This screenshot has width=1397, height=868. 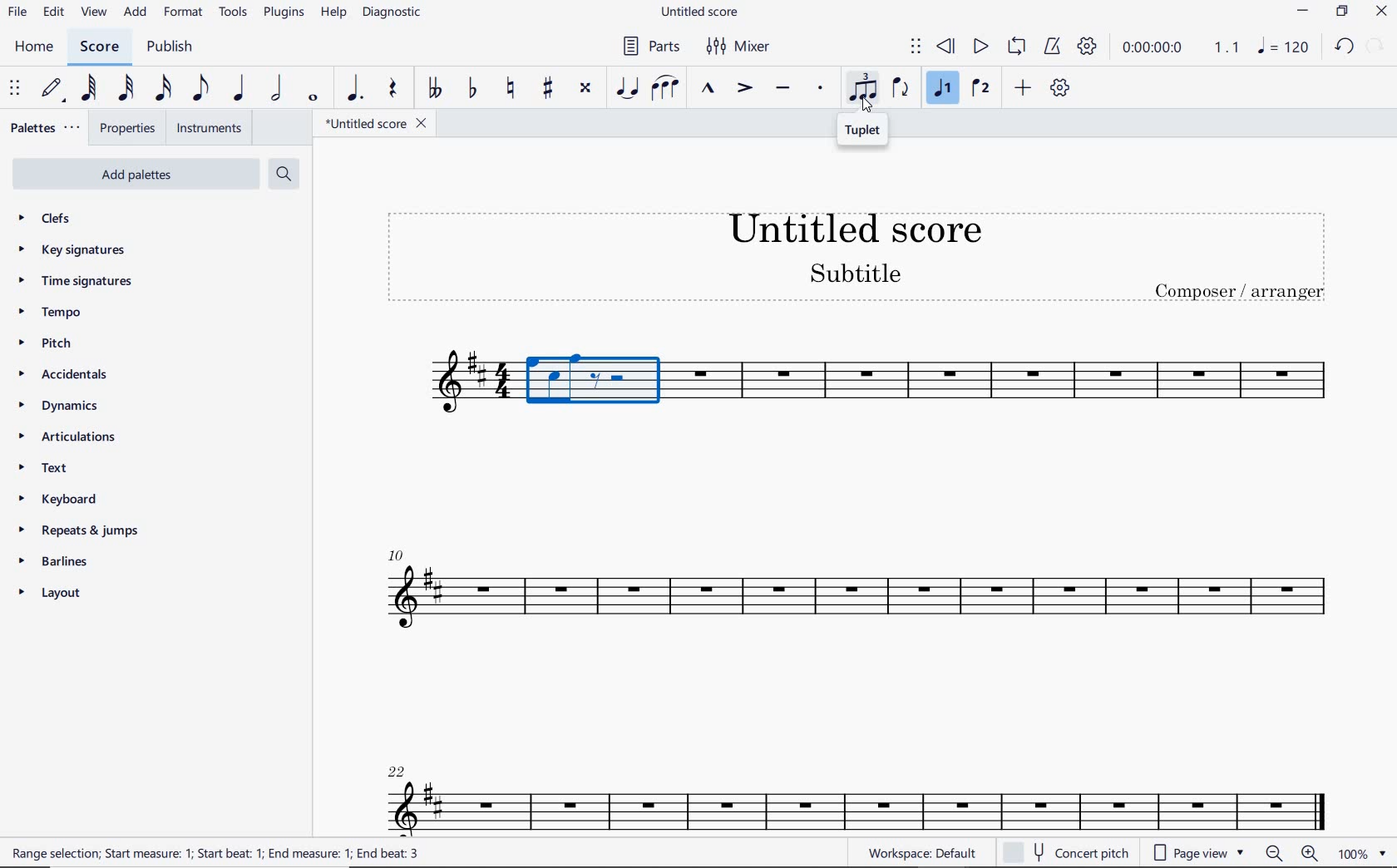 What do you see at coordinates (163, 88) in the screenshot?
I see `16TH NOTE` at bounding box center [163, 88].